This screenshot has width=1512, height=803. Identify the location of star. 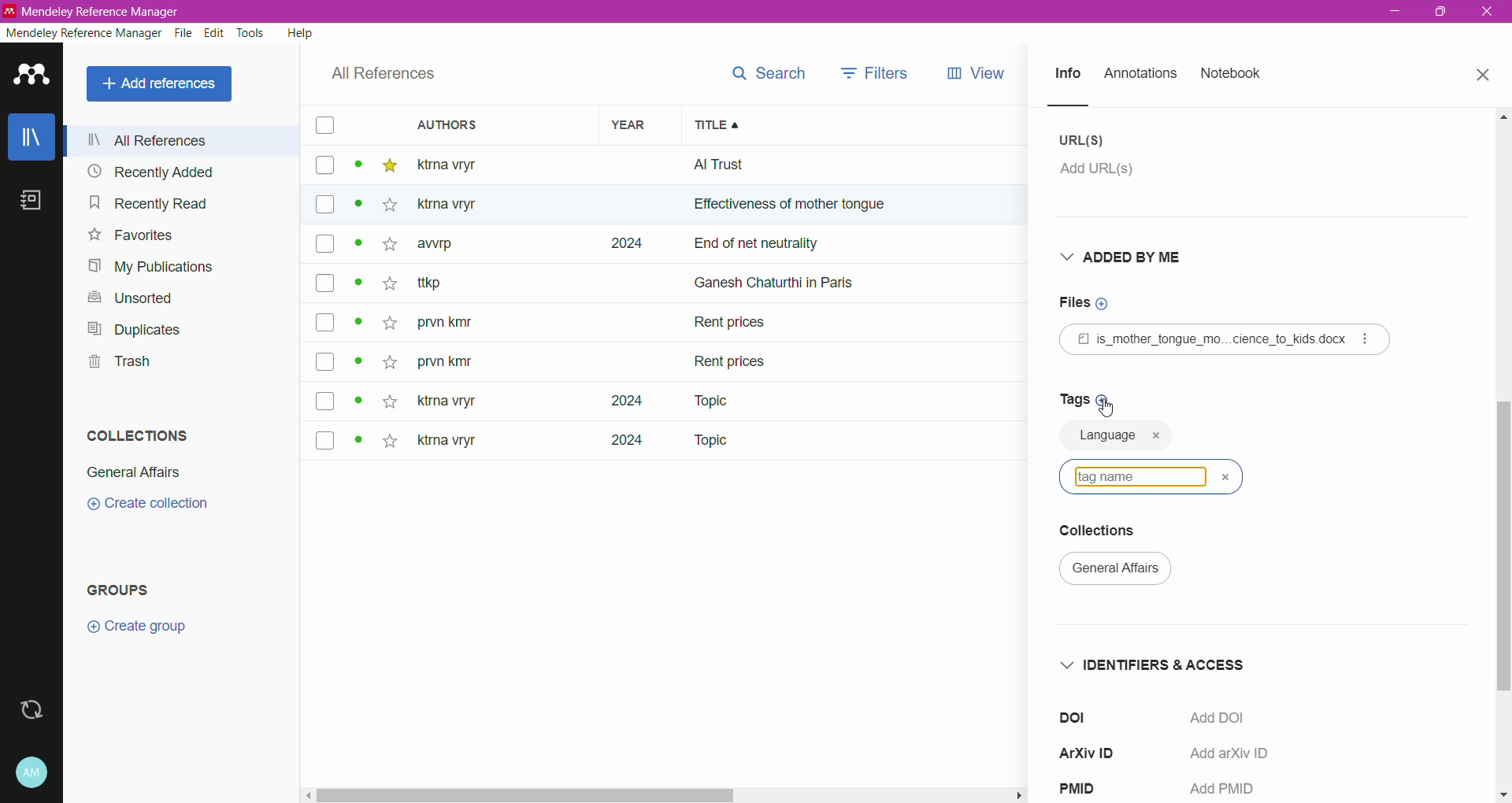
(390, 400).